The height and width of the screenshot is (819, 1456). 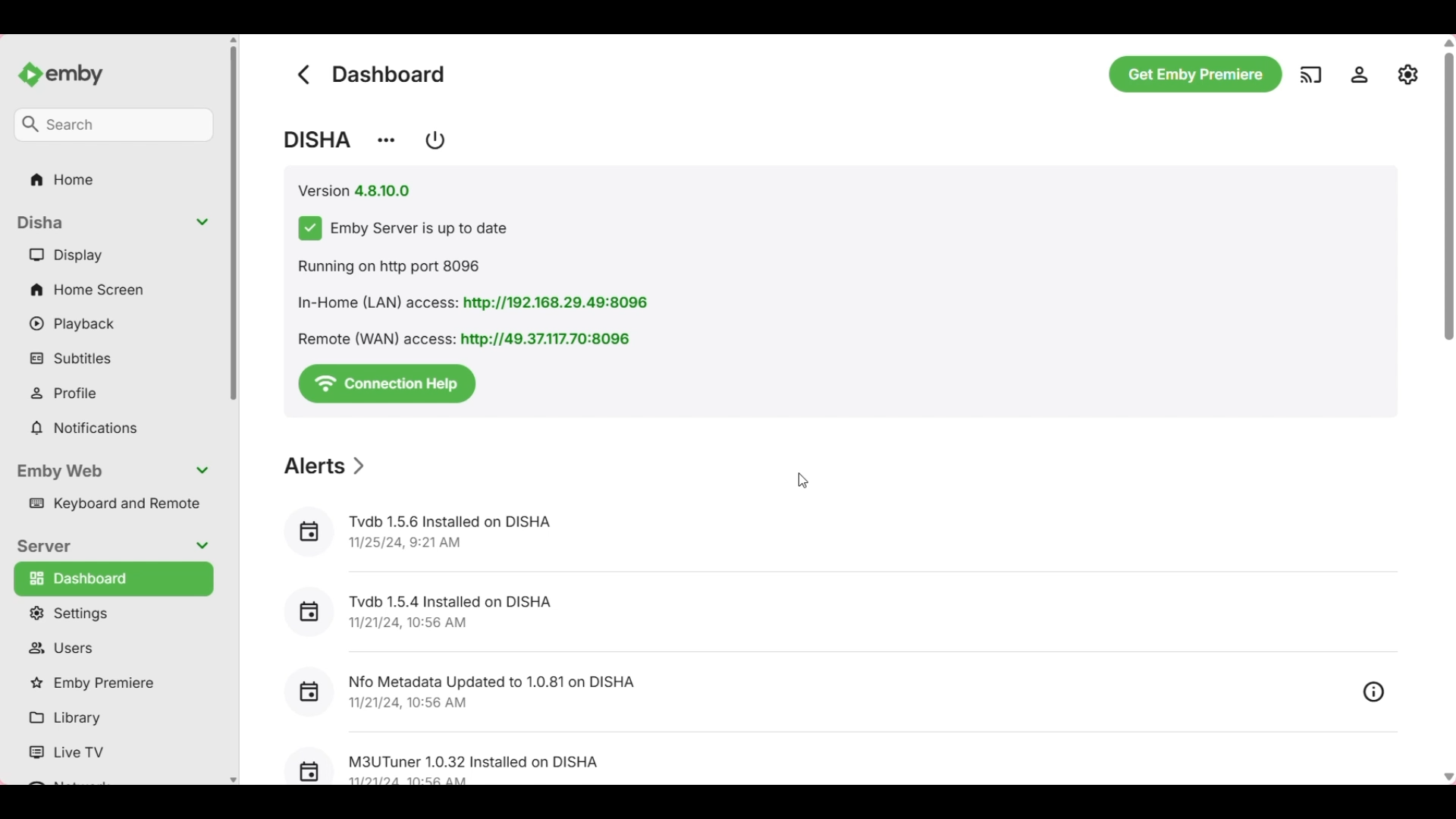 What do you see at coordinates (112, 613) in the screenshot?
I see `Settings` at bounding box center [112, 613].